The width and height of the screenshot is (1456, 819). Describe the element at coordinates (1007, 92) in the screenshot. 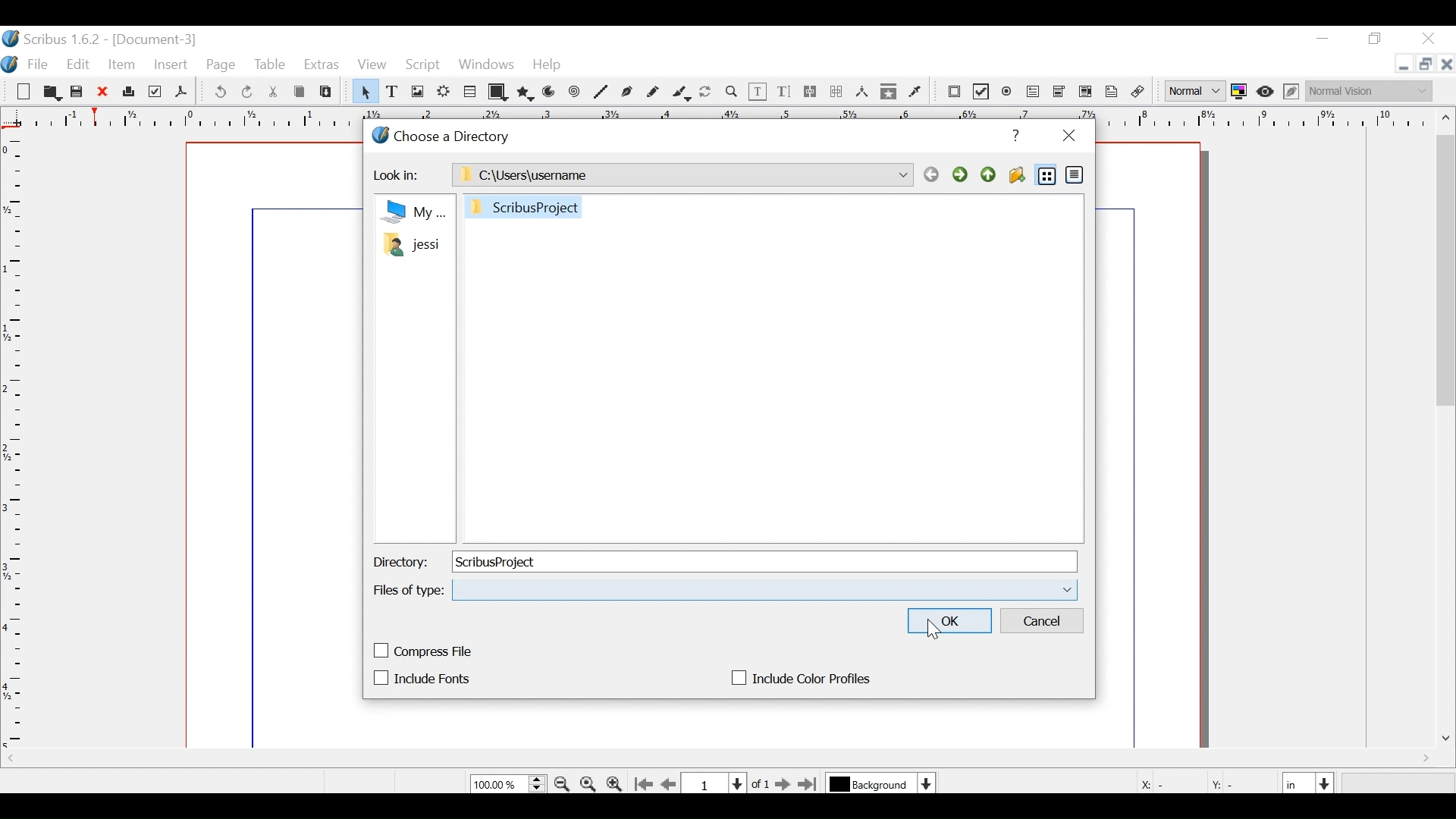

I see `PDF Radio Button` at that location.